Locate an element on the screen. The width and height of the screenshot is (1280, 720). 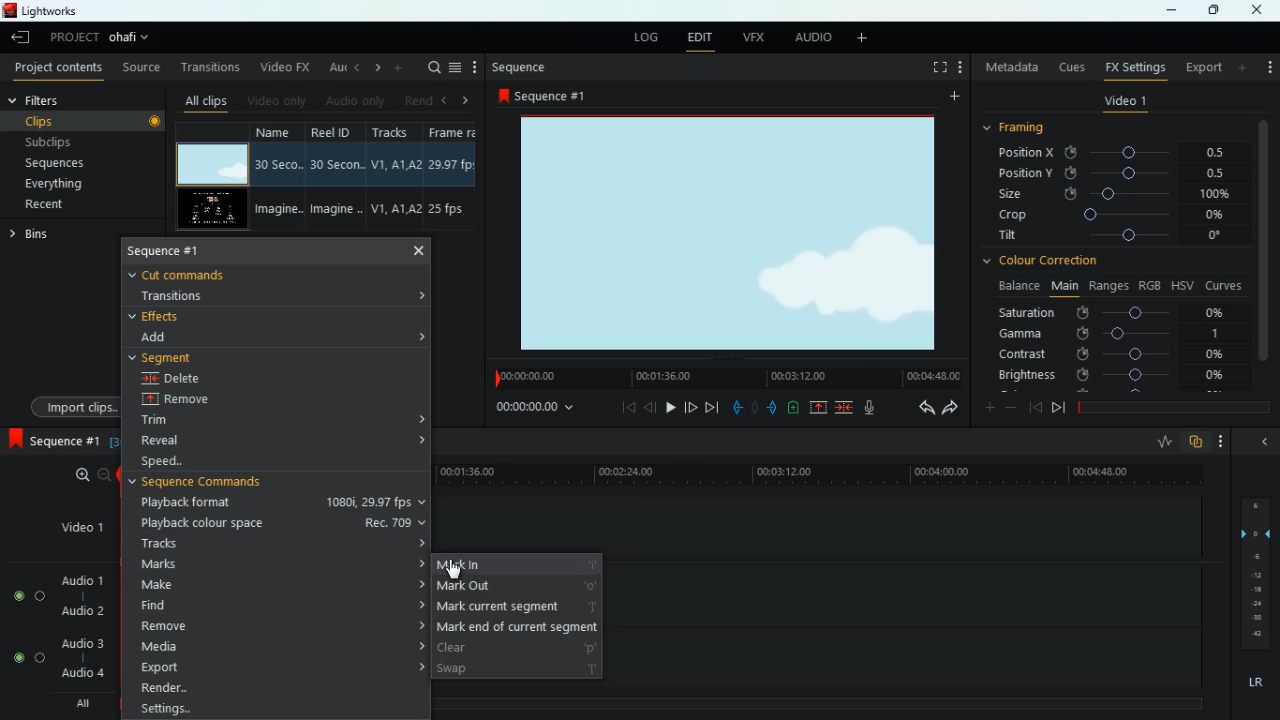
settings is located at coordinates (1268, 65).